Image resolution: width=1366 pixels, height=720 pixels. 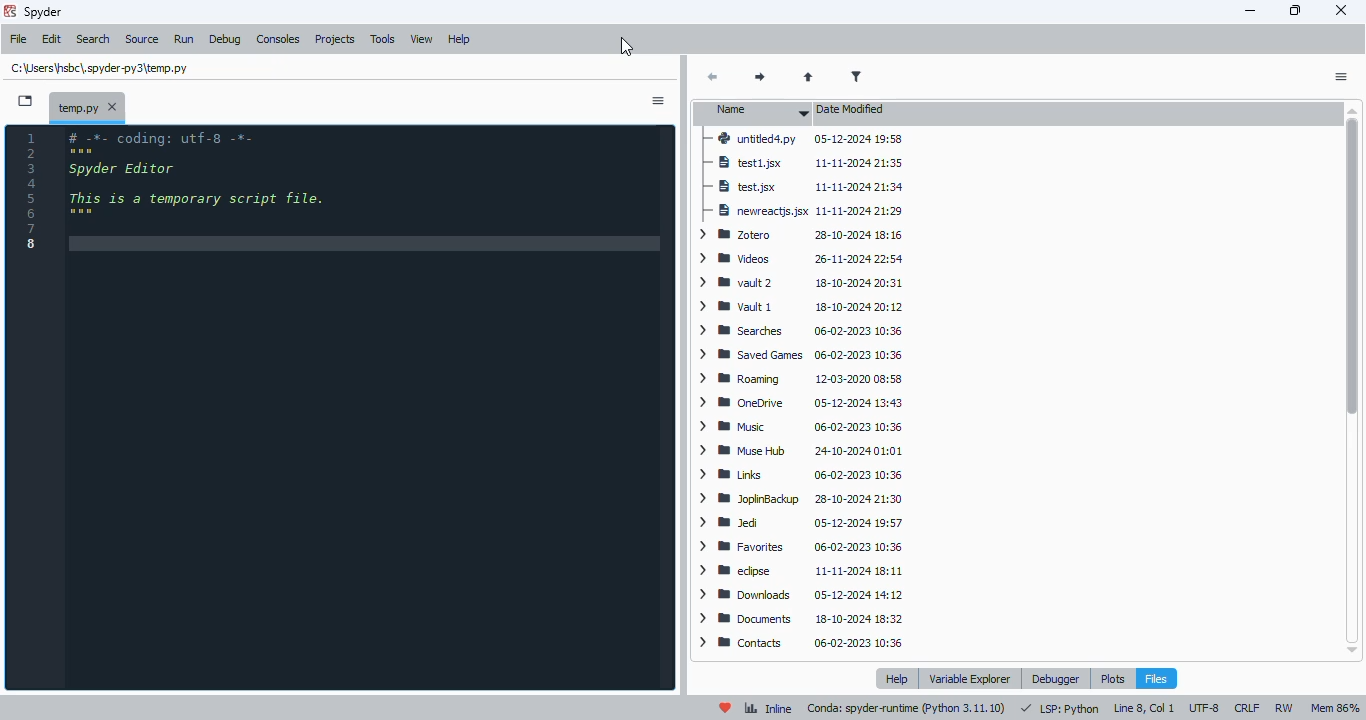 I want to click on Jed, so click(x=804, y=522).